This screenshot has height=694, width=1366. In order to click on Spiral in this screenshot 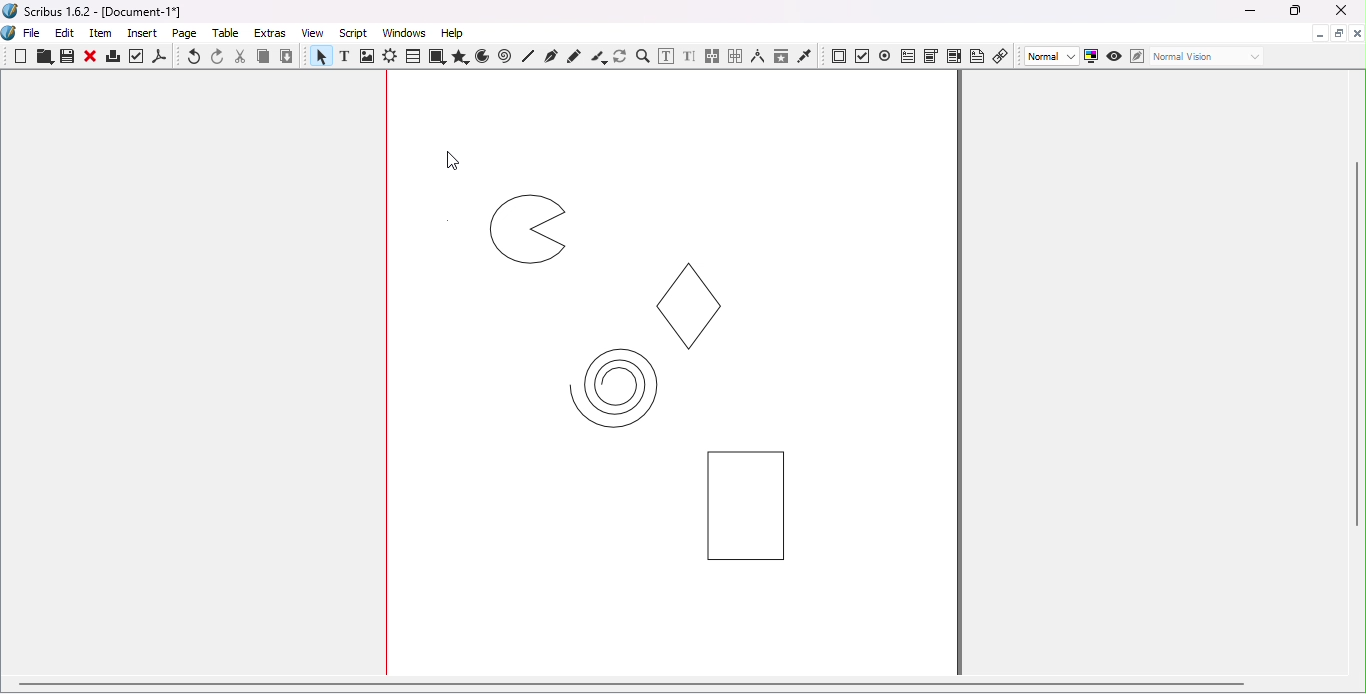, I will do `click(507, 57)`.